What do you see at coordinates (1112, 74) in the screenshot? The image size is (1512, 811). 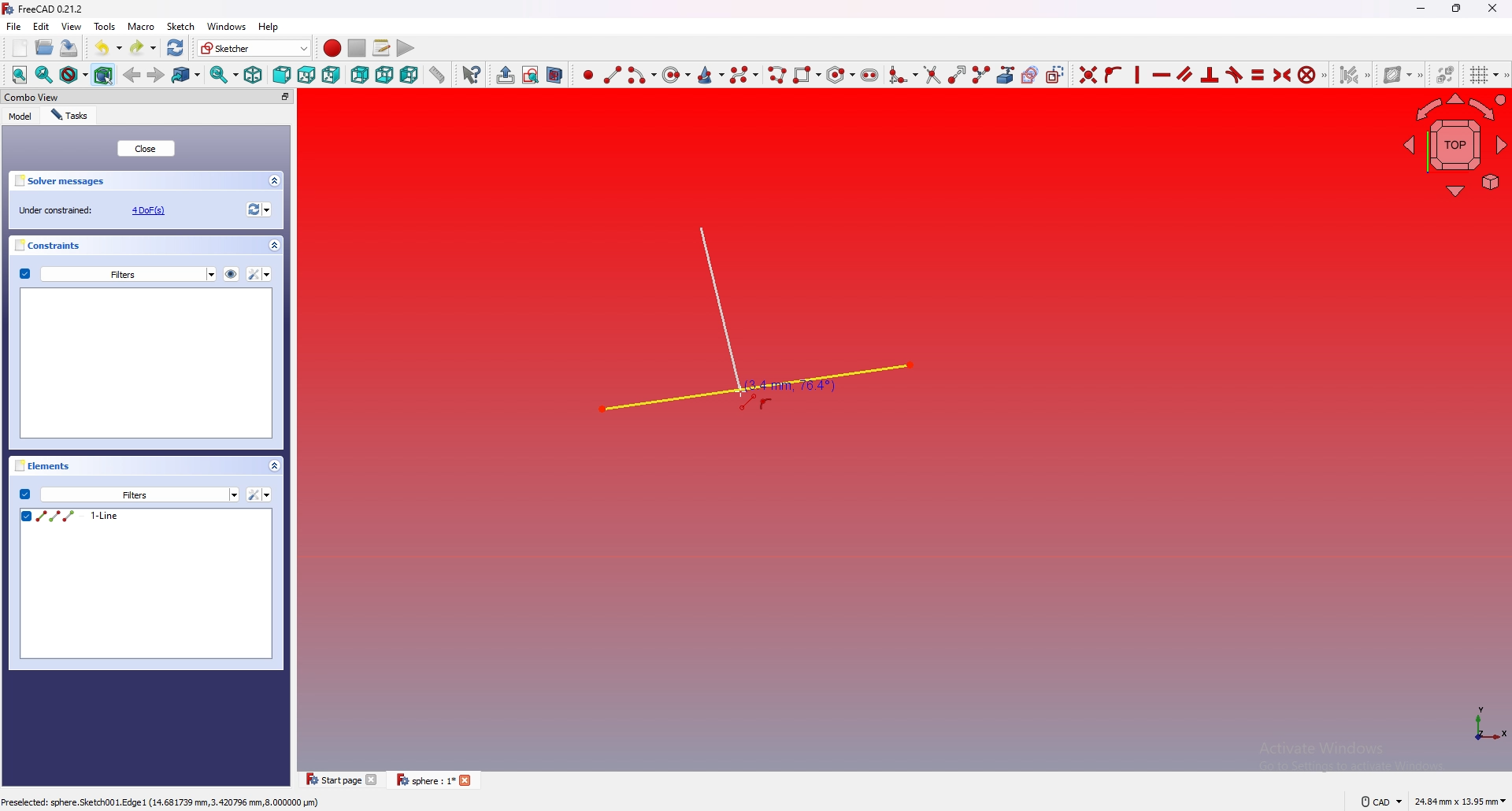 I see `Constrain point onto object` at bounding box center [1112, 74].